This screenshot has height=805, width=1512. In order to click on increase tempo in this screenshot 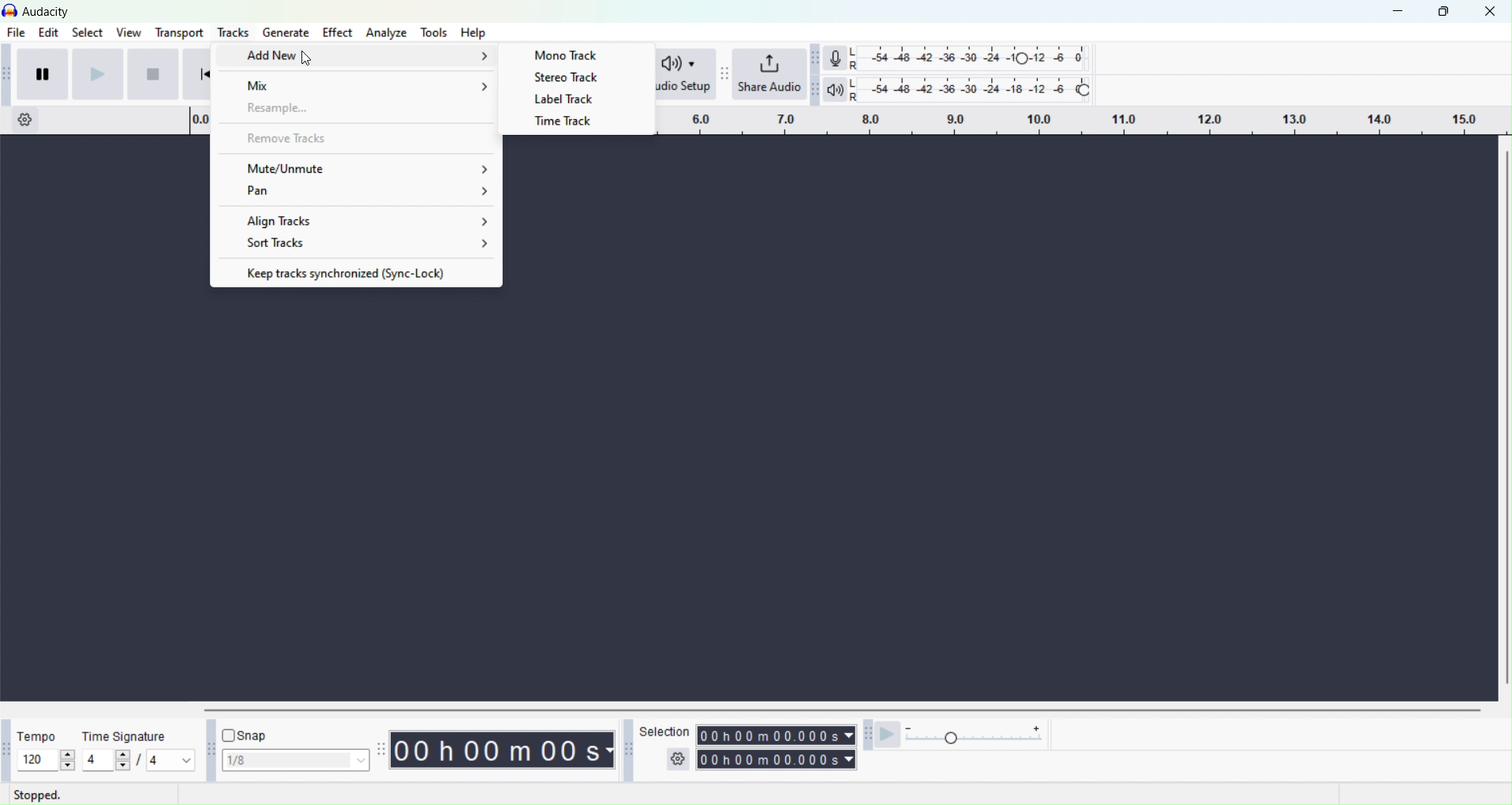, I will do `click(68, 754)`.